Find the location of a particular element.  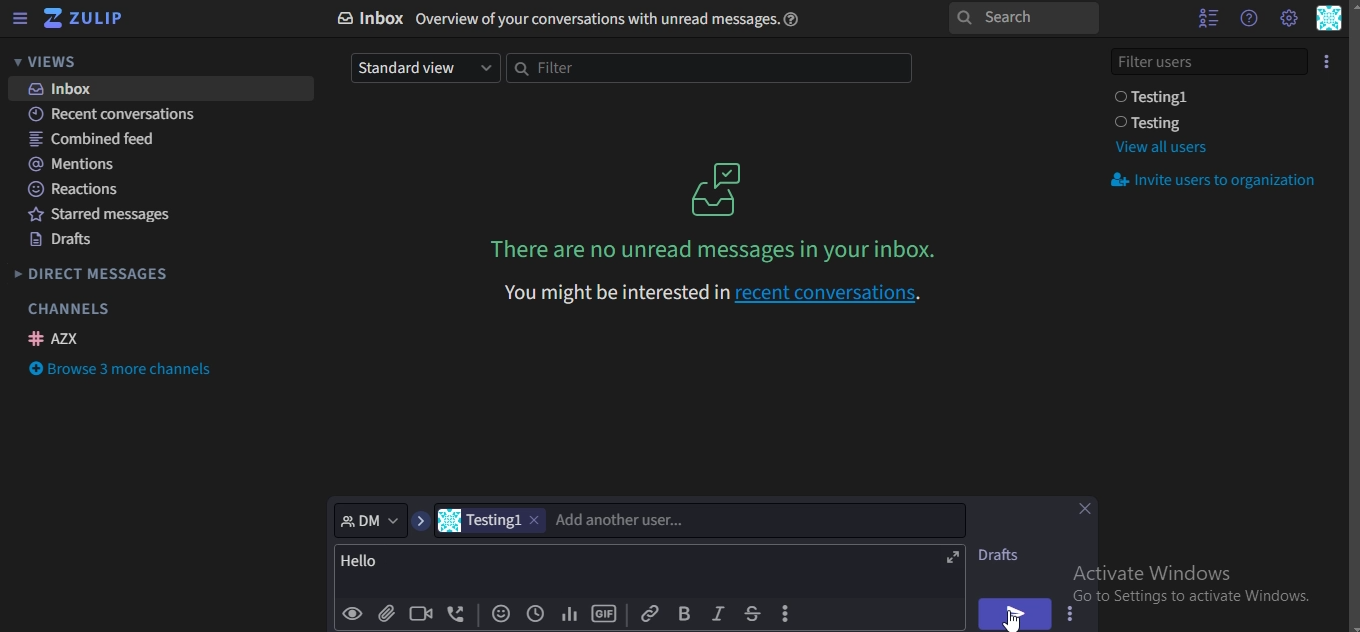

draft is located at coordinates (1005, 555).